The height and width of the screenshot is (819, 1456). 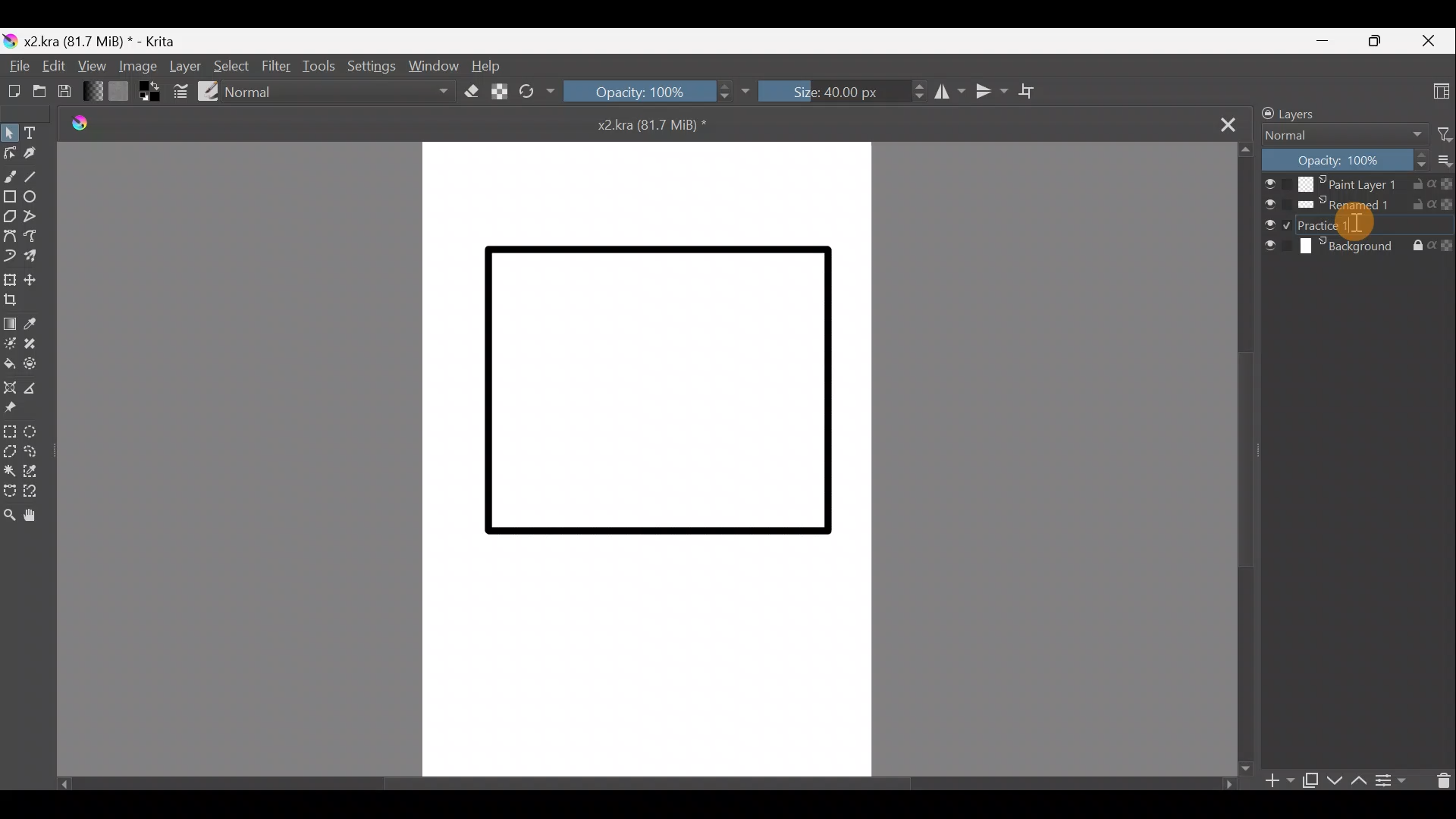 What do you see at coordinates (11, 152) in the screenshot?
I see `Edit shapes tool` at bounding box center [11, 152].